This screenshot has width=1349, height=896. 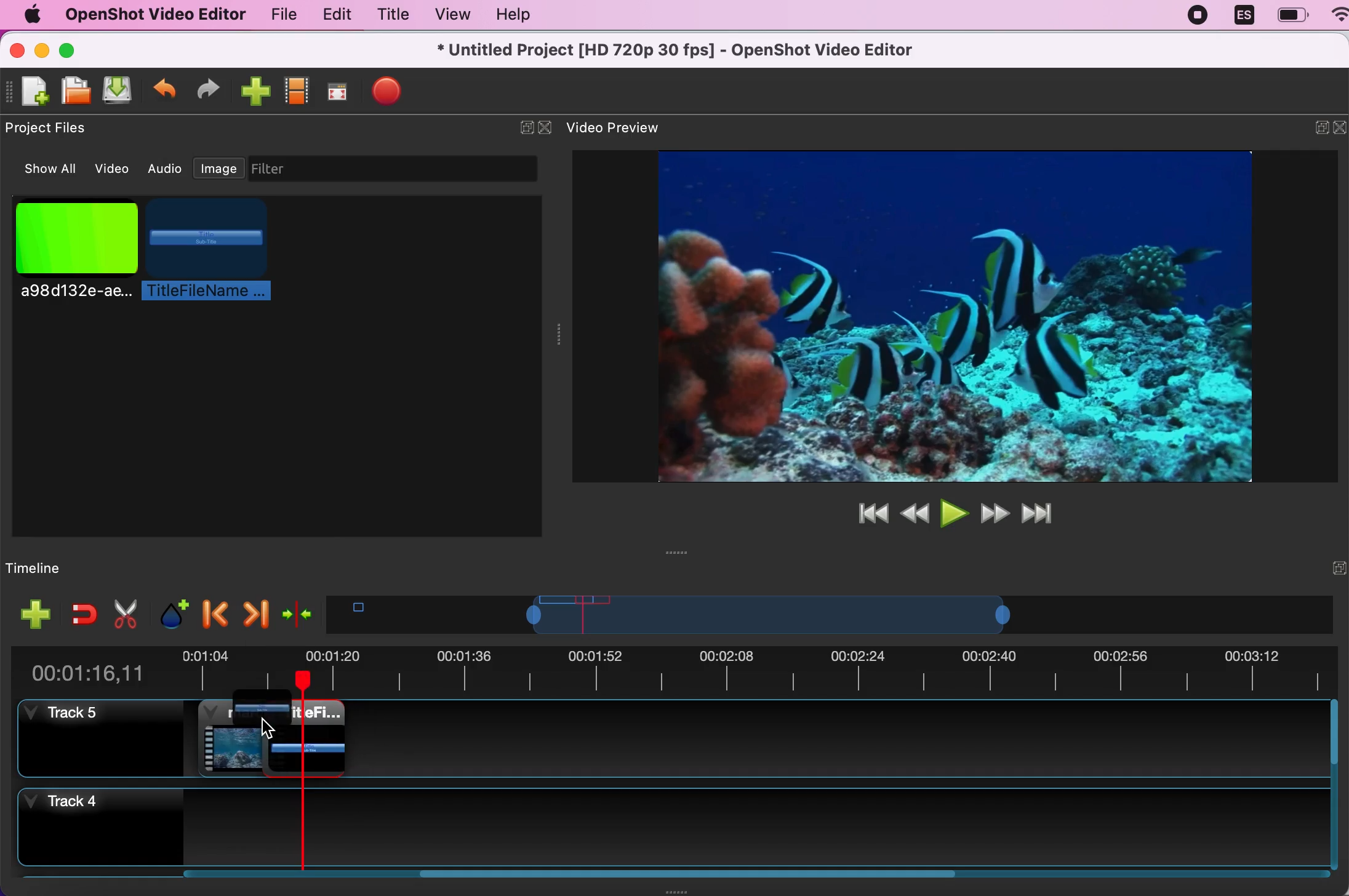 What do you see at coordinates (340, 89) in the screenshot?
I see `full screen` at bounding box center [340, 89].